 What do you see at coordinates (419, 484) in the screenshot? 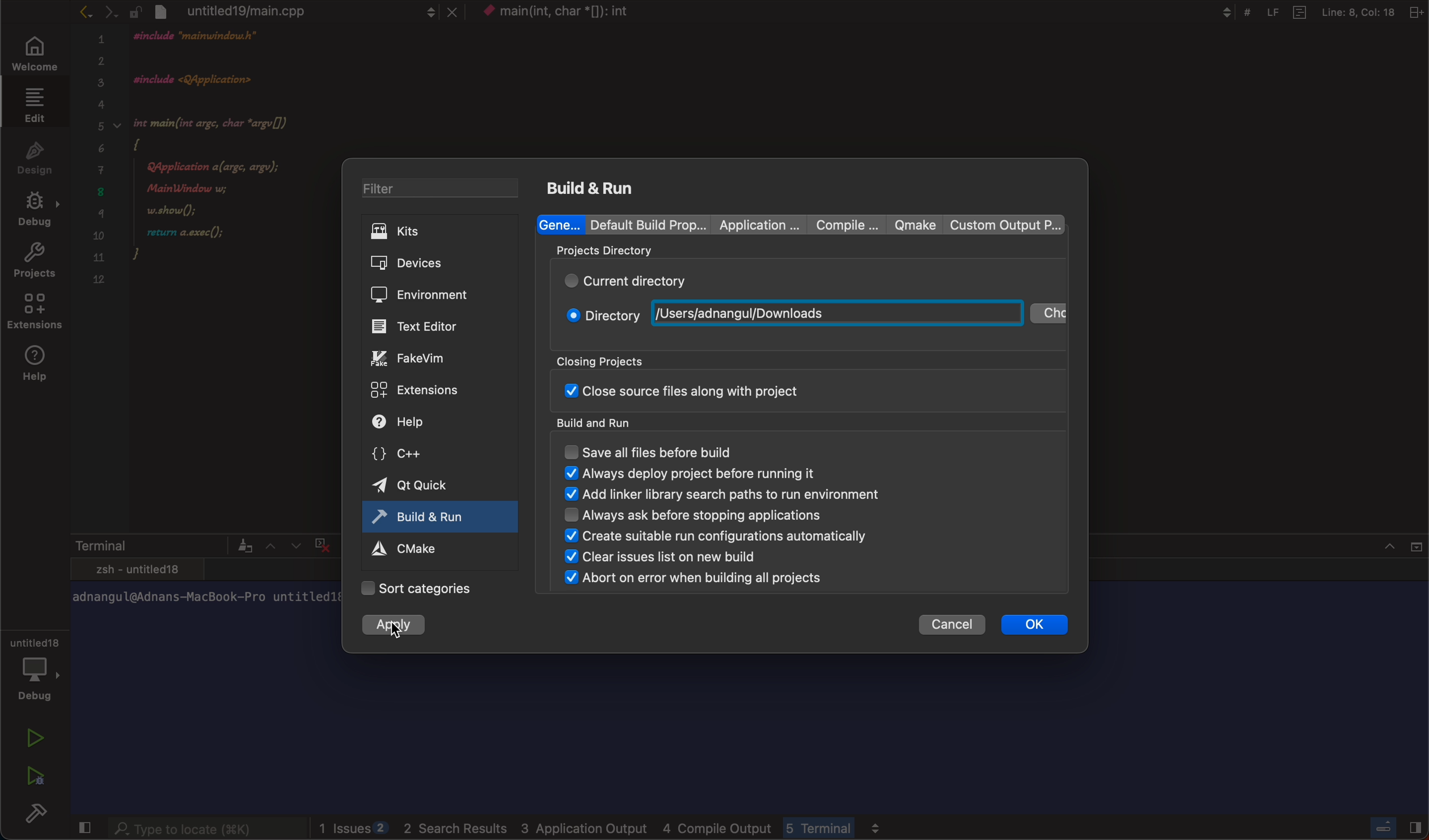
I see `qt quick` at bounding box center [419, 484].